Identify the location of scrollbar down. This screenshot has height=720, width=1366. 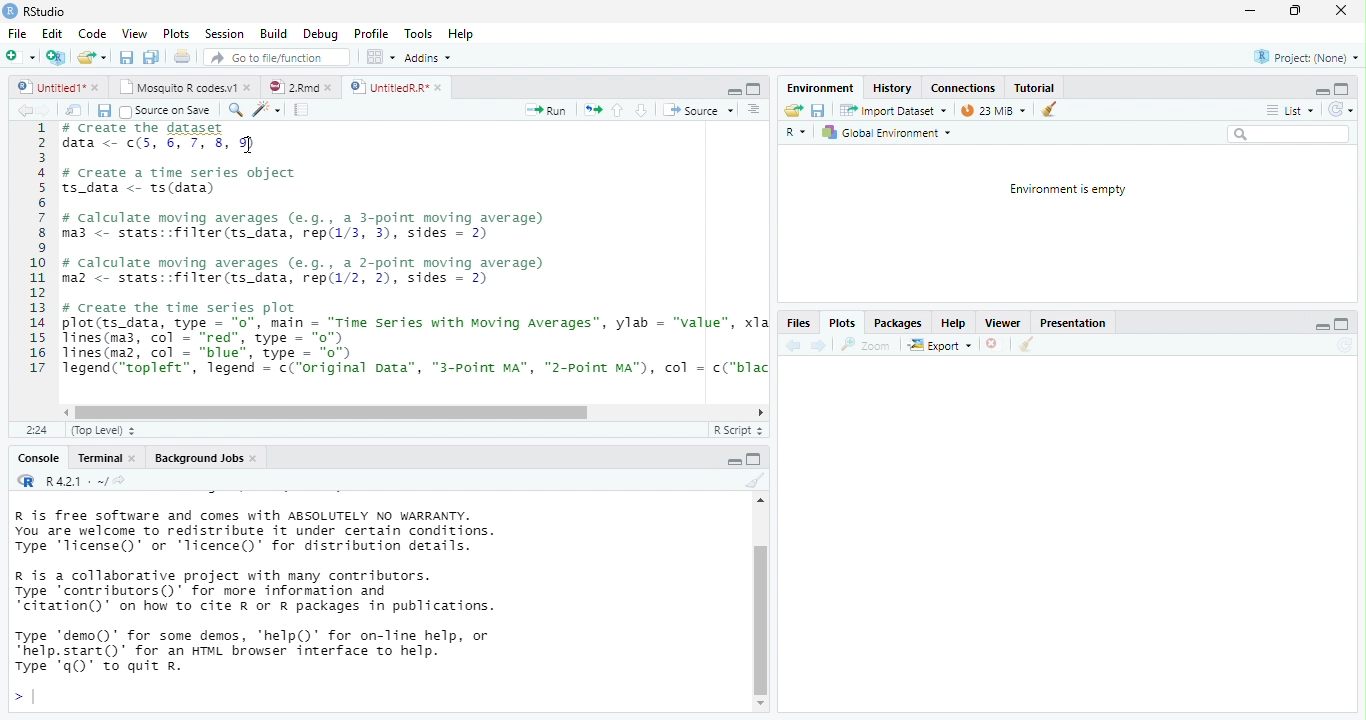
(761, 704).